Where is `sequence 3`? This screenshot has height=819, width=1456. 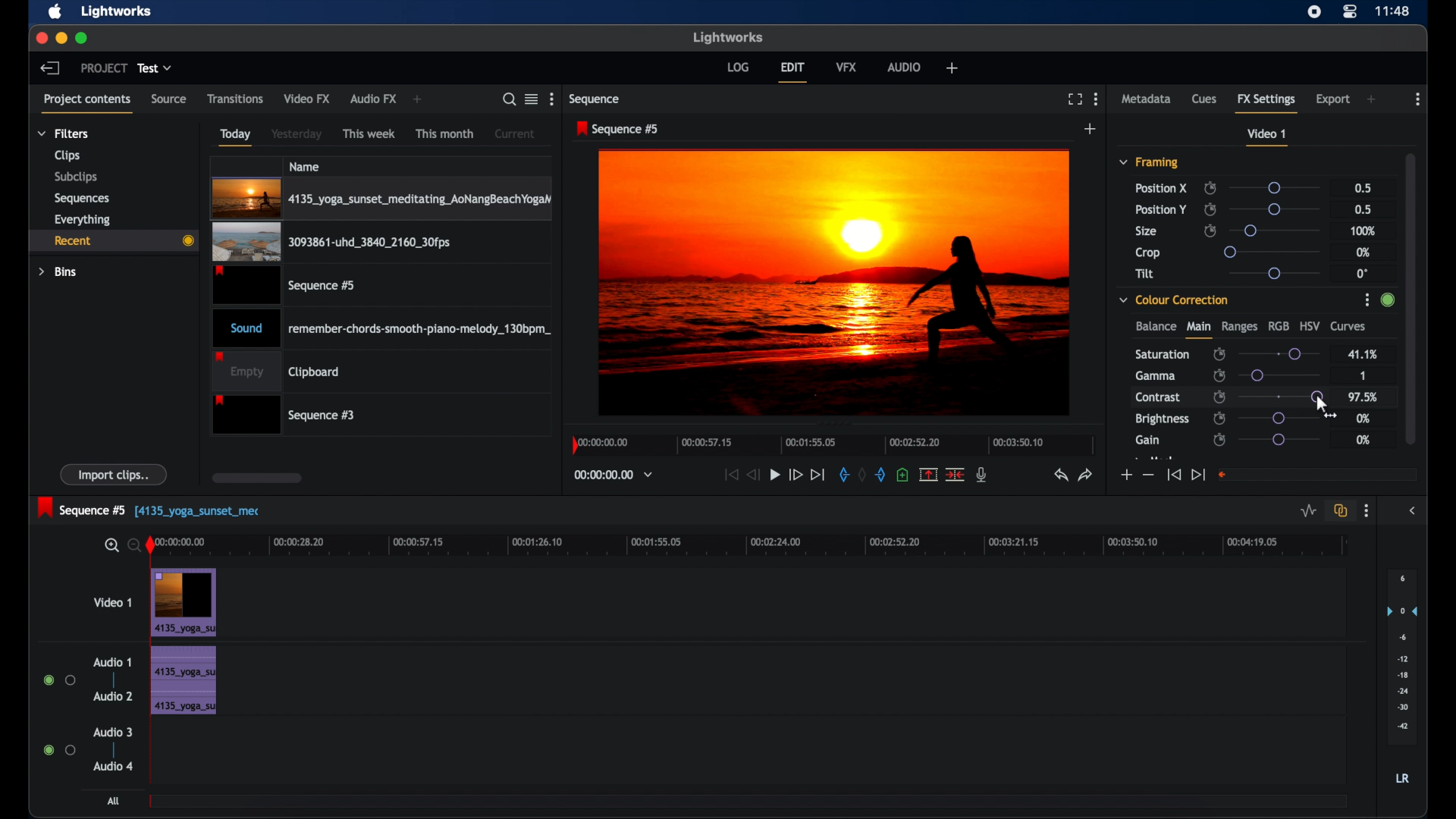 sequence 3 is located at coordinates (284, 414).